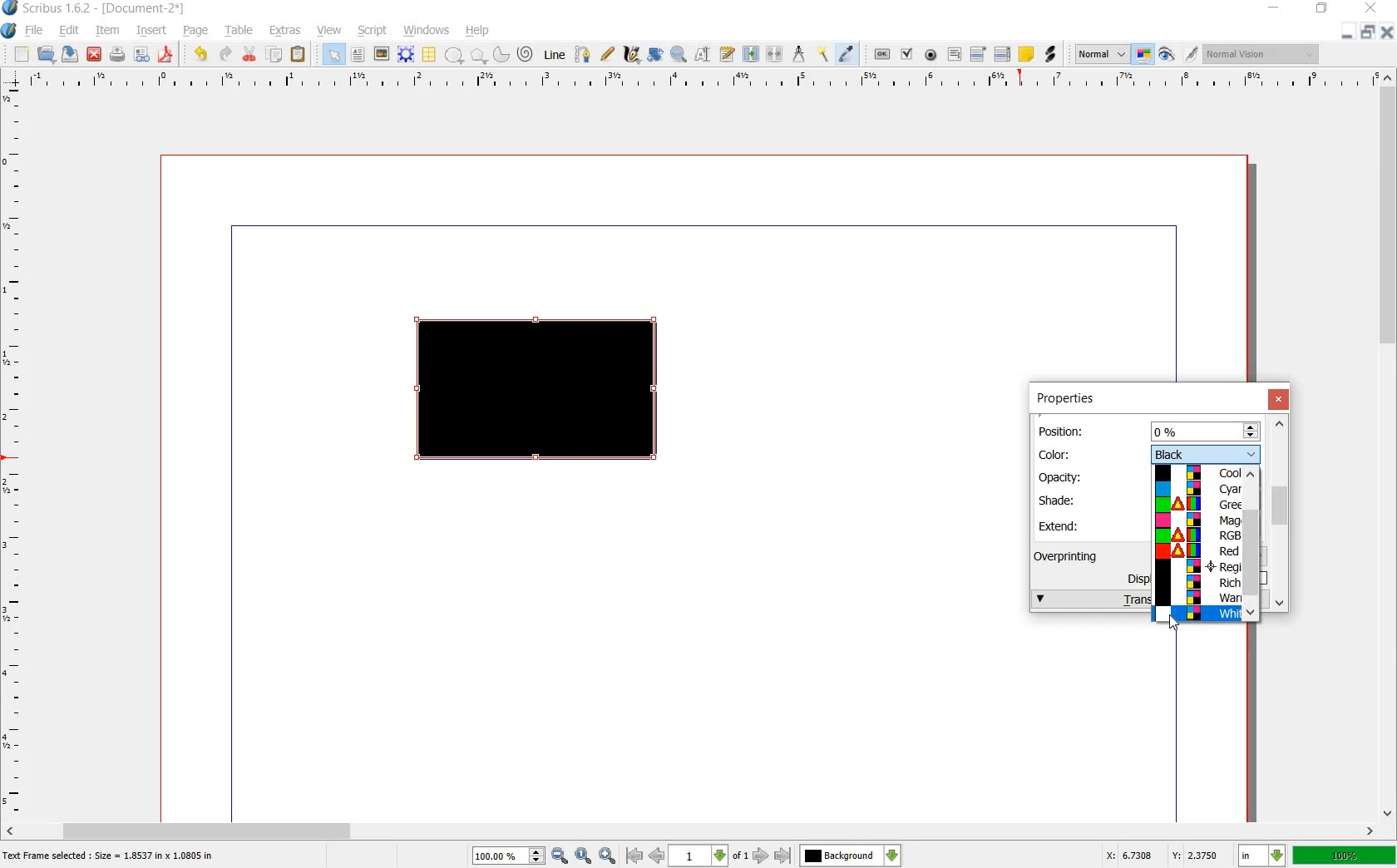 The height and width of the screenshot is (868, 1397). I want to click on black, so click(1205, 453).